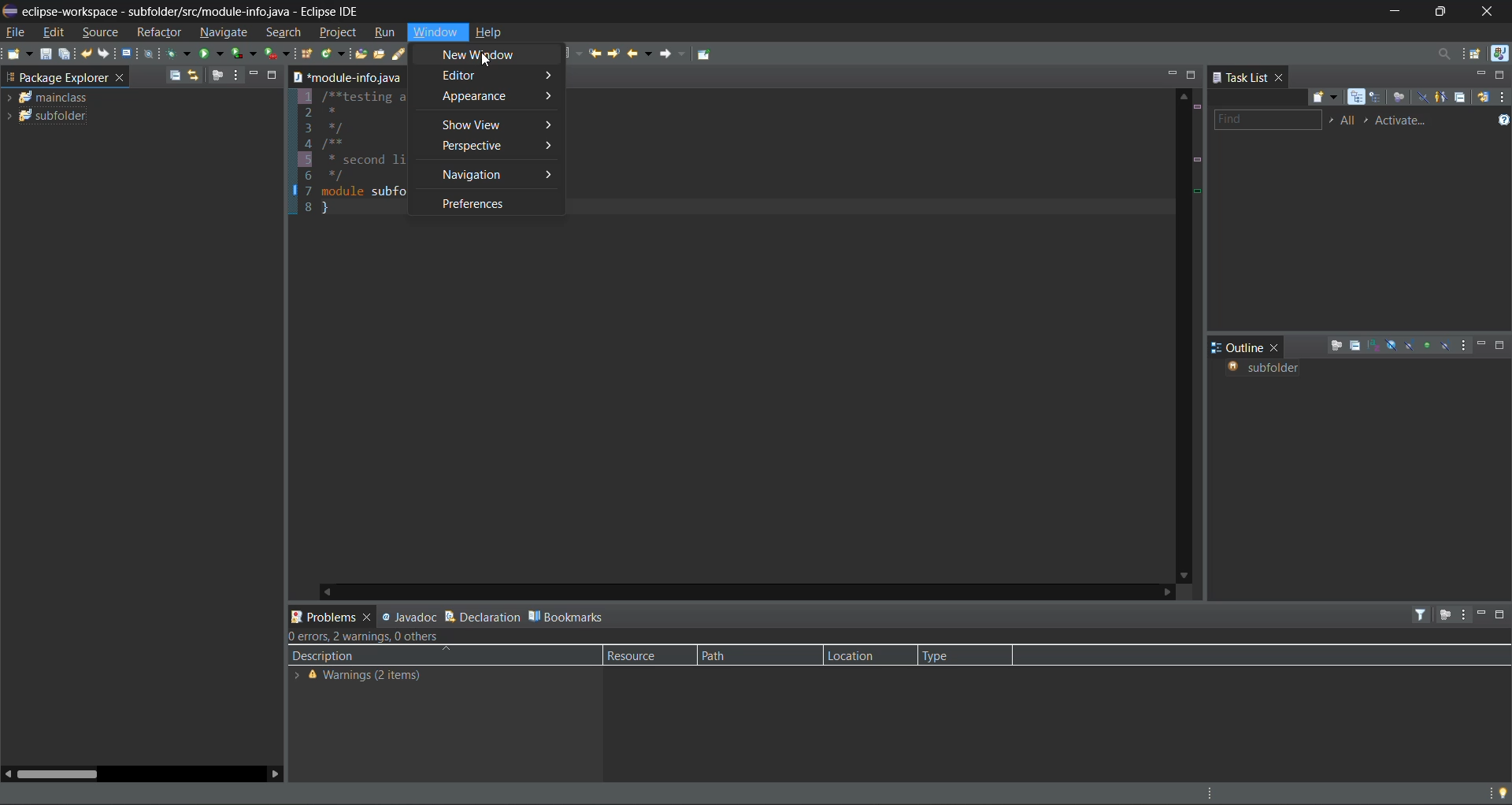 The image size is (1512, 805). What do you see at coordinates (225, 33) in the screenshot?
I see `navigate` at bounding box center [225, 33].